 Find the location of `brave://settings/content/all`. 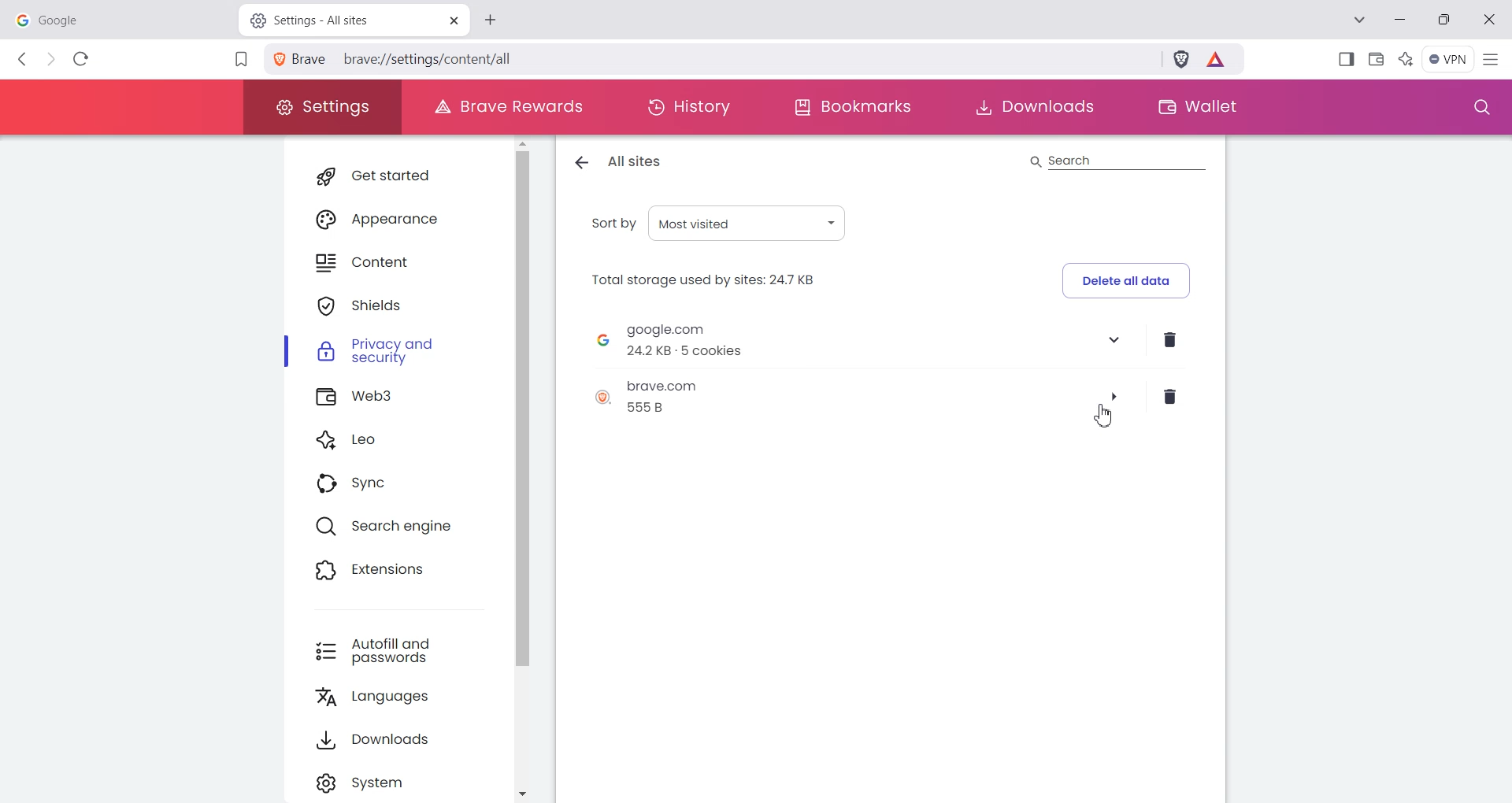

brave://settings/content/all is located at coordinates (435, 57).